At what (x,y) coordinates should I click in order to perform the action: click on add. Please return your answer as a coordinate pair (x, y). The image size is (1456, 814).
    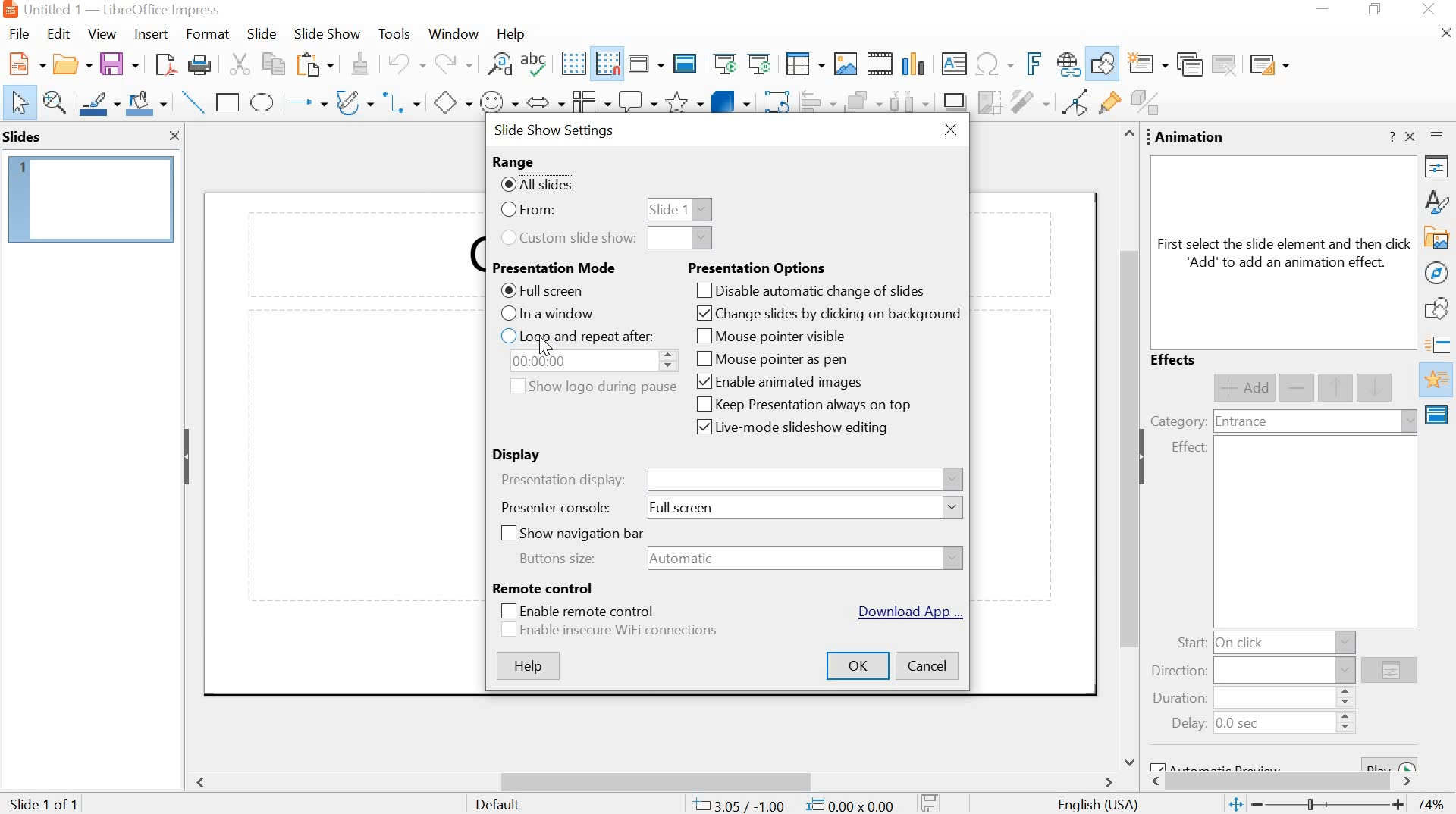
    Looking at the image, I should click on (1244, 388).